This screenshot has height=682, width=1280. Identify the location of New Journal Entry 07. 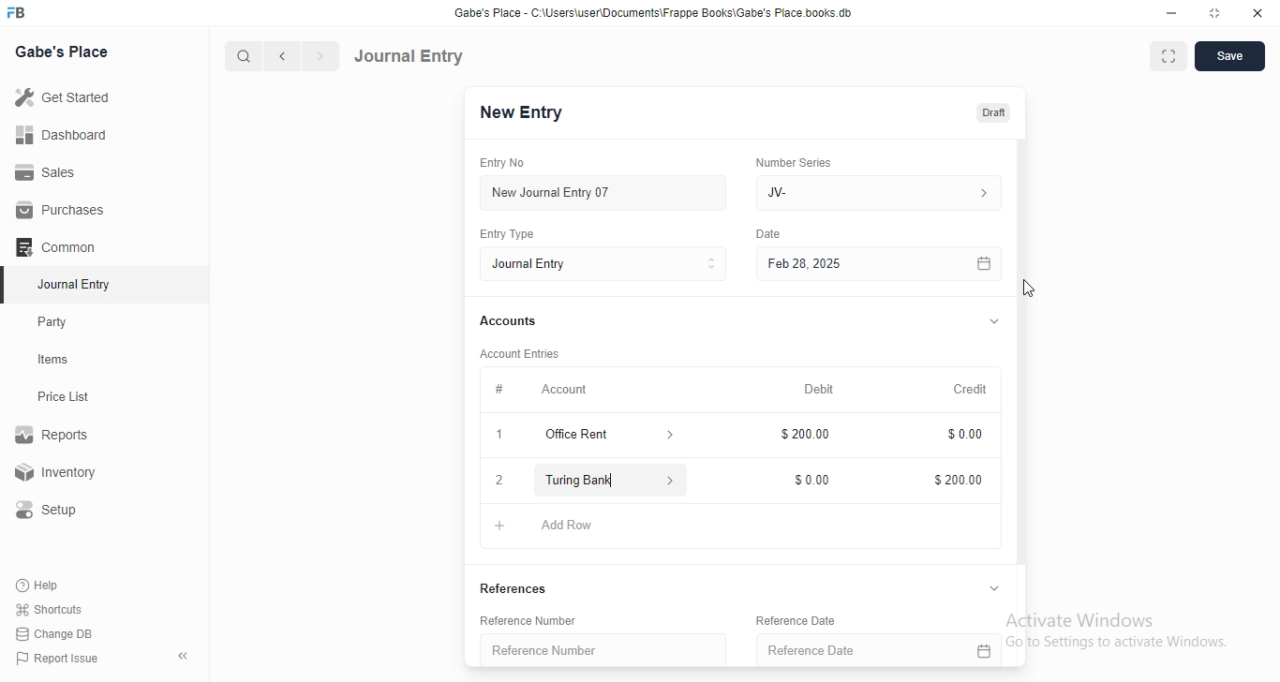
(550, 193).